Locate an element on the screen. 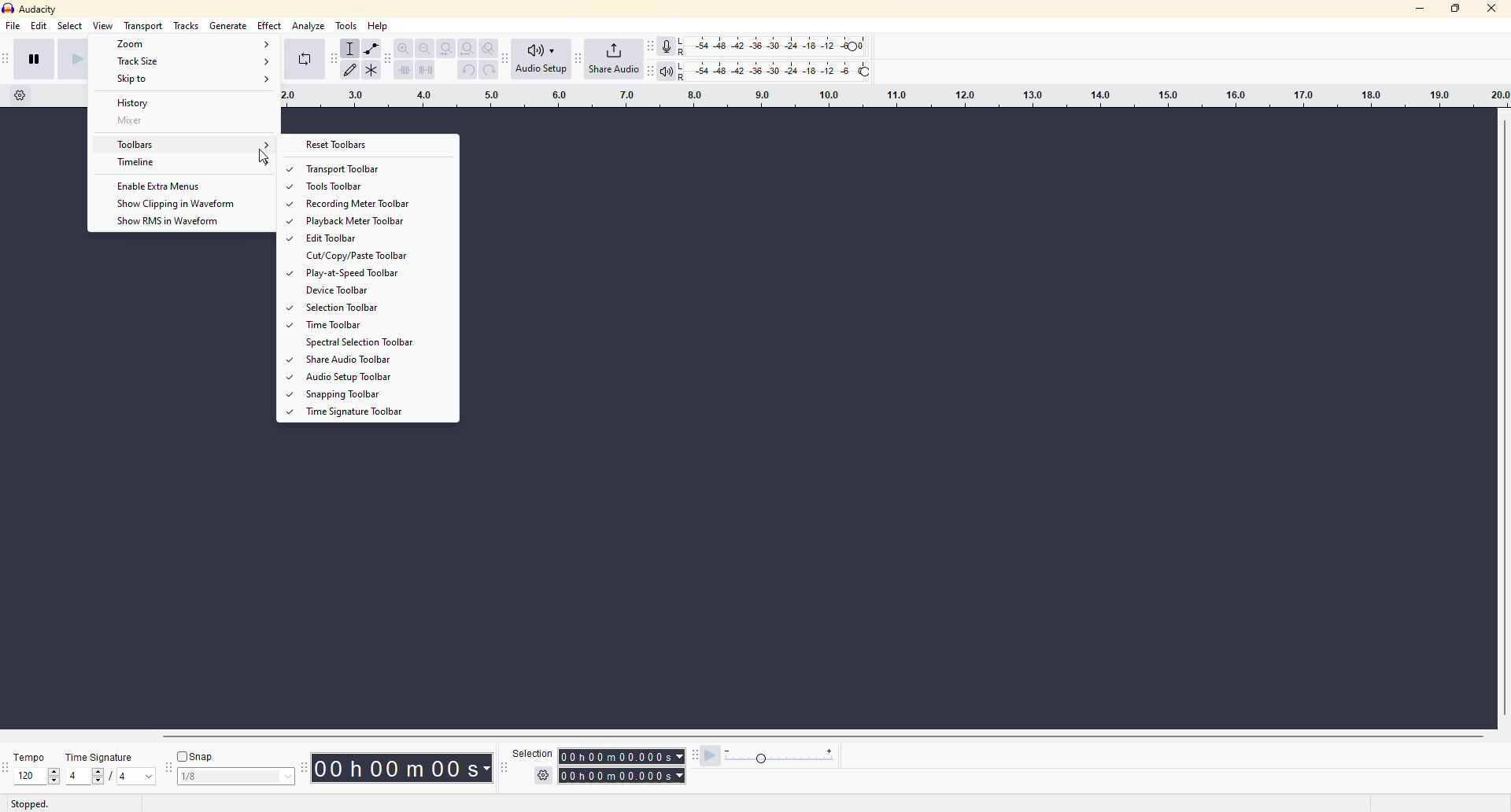 This screenshot has width=1511, height=812. snapping toolbar is located at coordinates (337, 394).